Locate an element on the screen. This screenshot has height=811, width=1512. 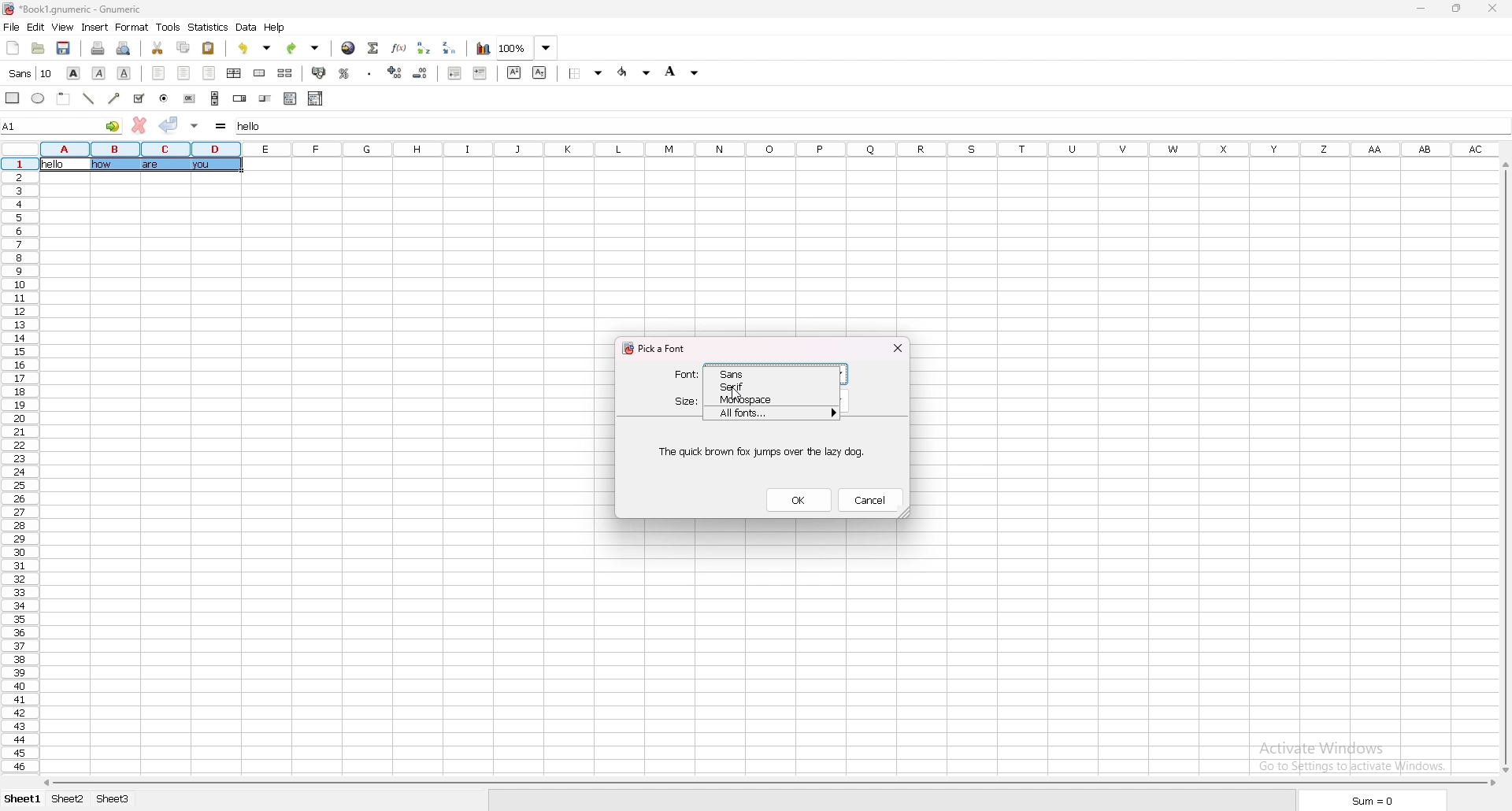
accept changes in all cells is located at coordinates (195, 125).